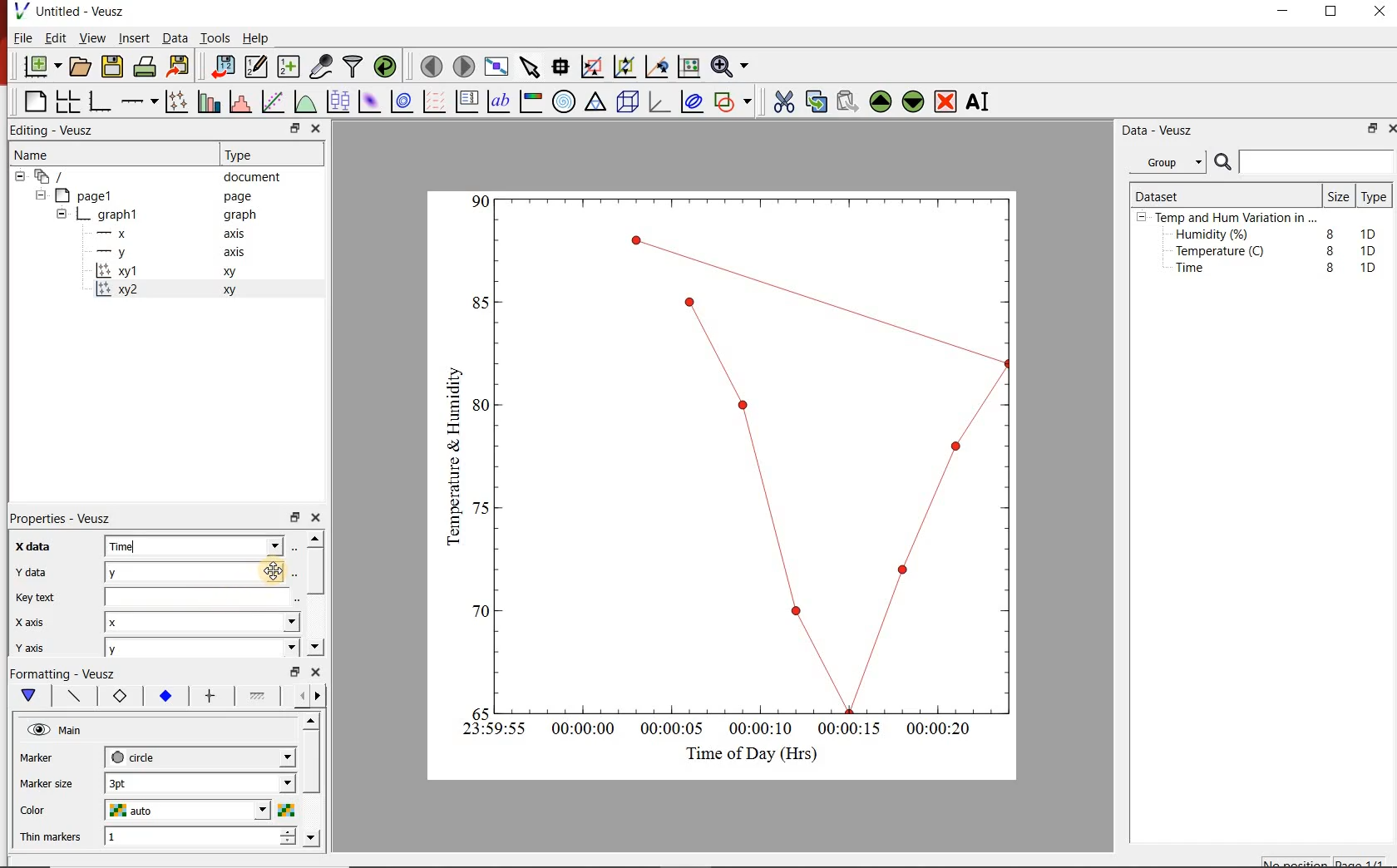  Describe the element at coordinates (981, 101) in the screenshot. I see `Rename the selected widget` at that location.